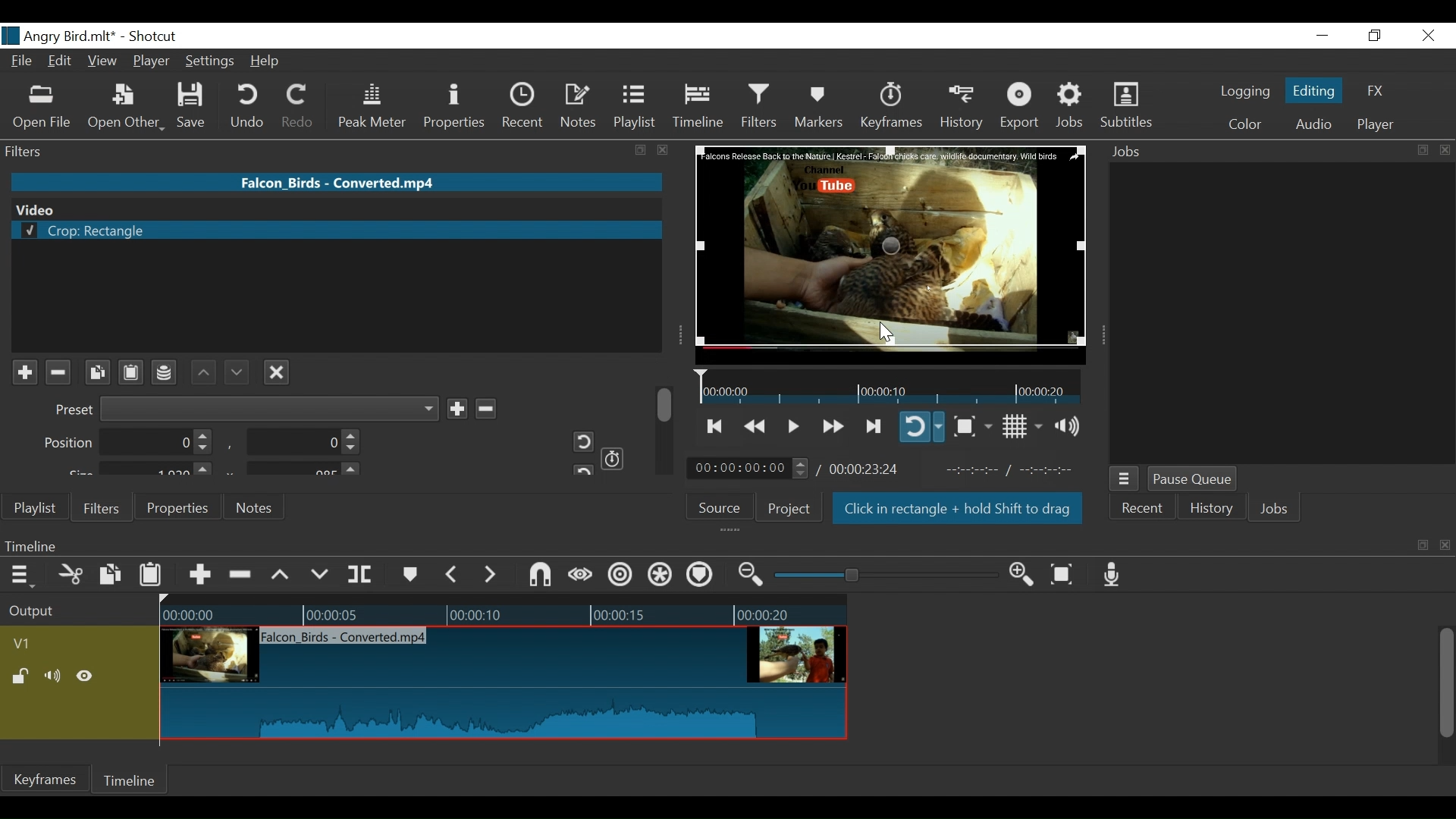 The image size is (1456, 819). Describe the element at coordinates (36, 508) in the screenshot. I see `Playlist` at that location.